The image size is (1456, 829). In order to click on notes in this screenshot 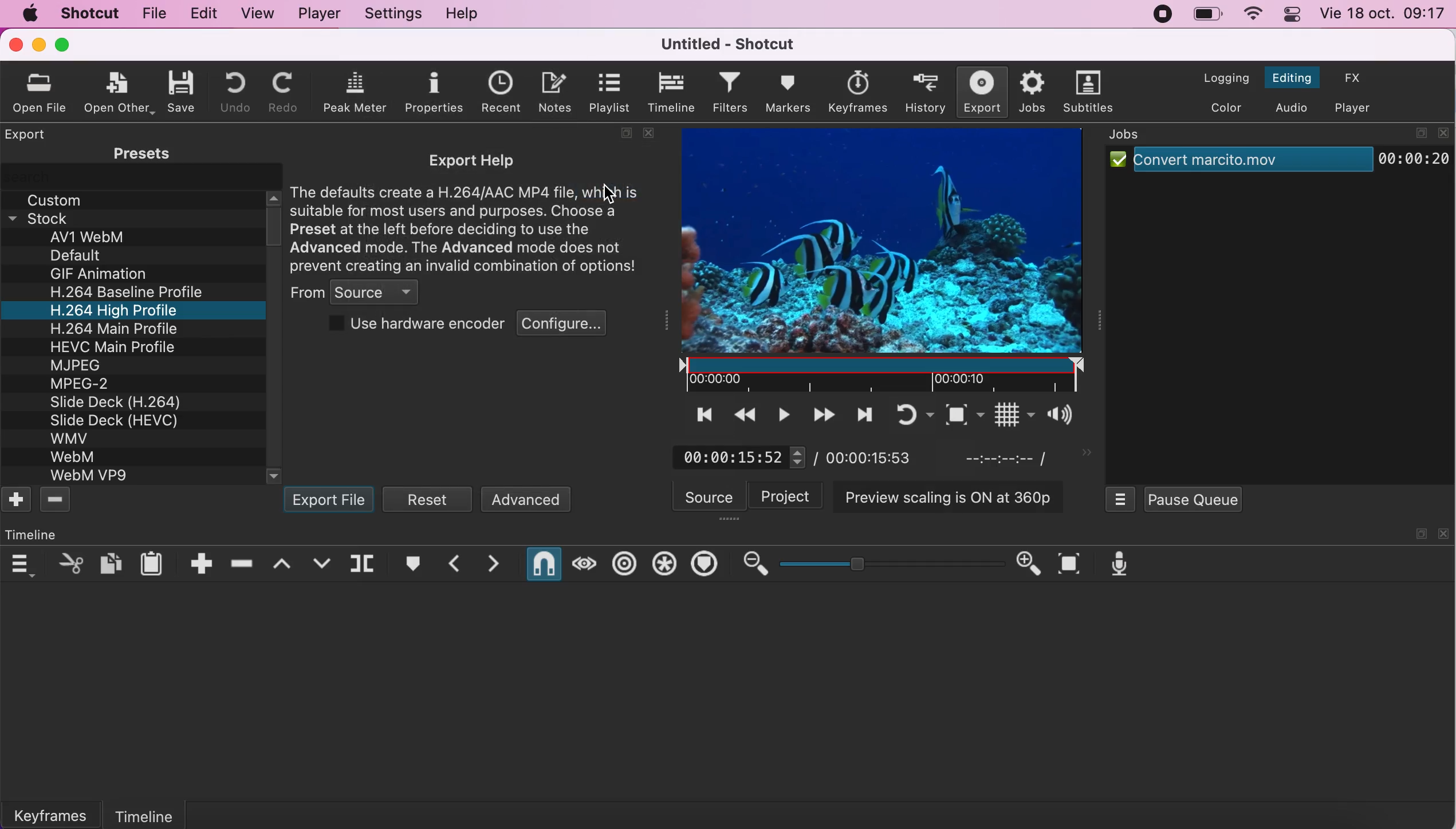, I will do `click(558, 93)`.